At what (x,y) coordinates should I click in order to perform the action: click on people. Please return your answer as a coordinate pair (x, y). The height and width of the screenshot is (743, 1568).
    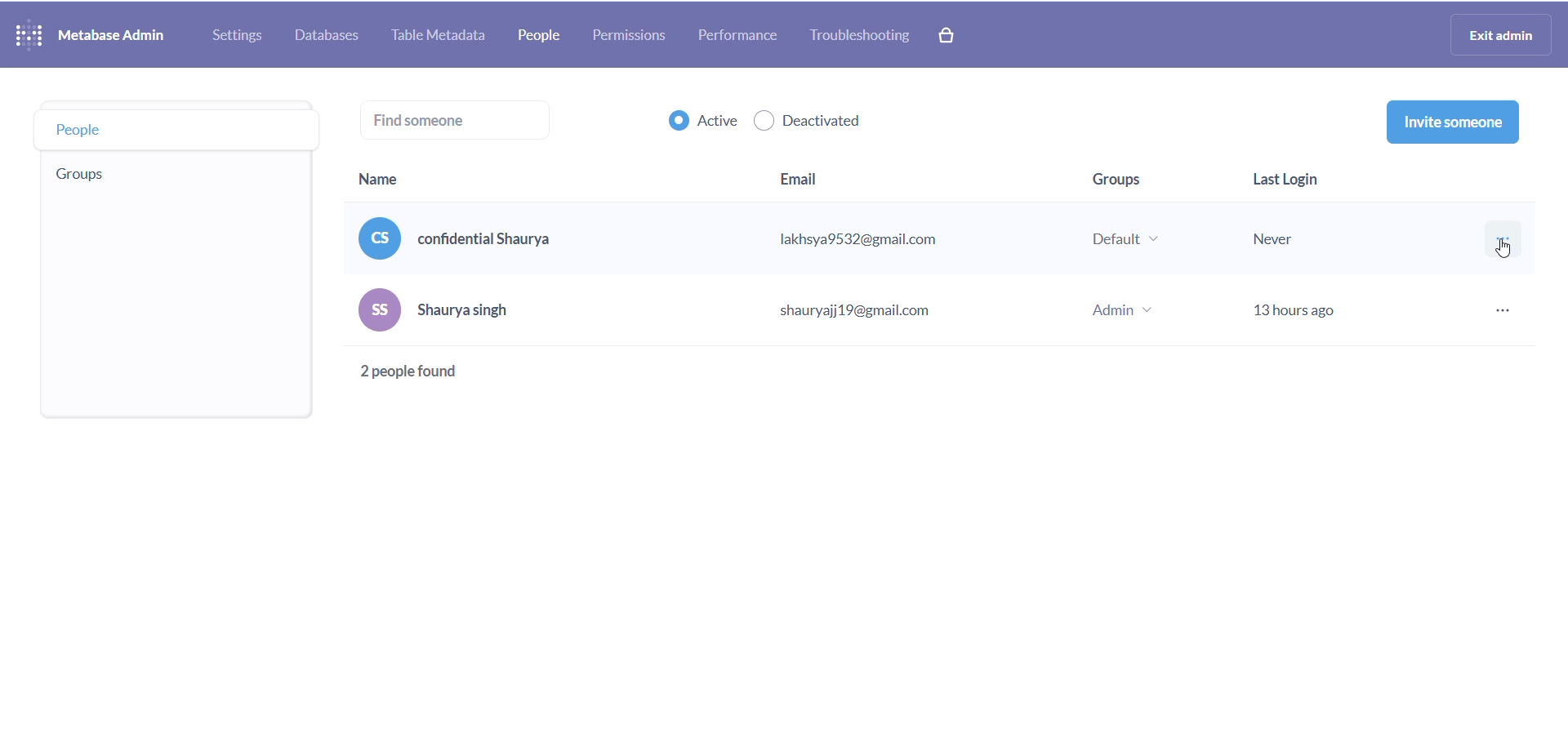
    Looking at the image, I should click on (543, 32).